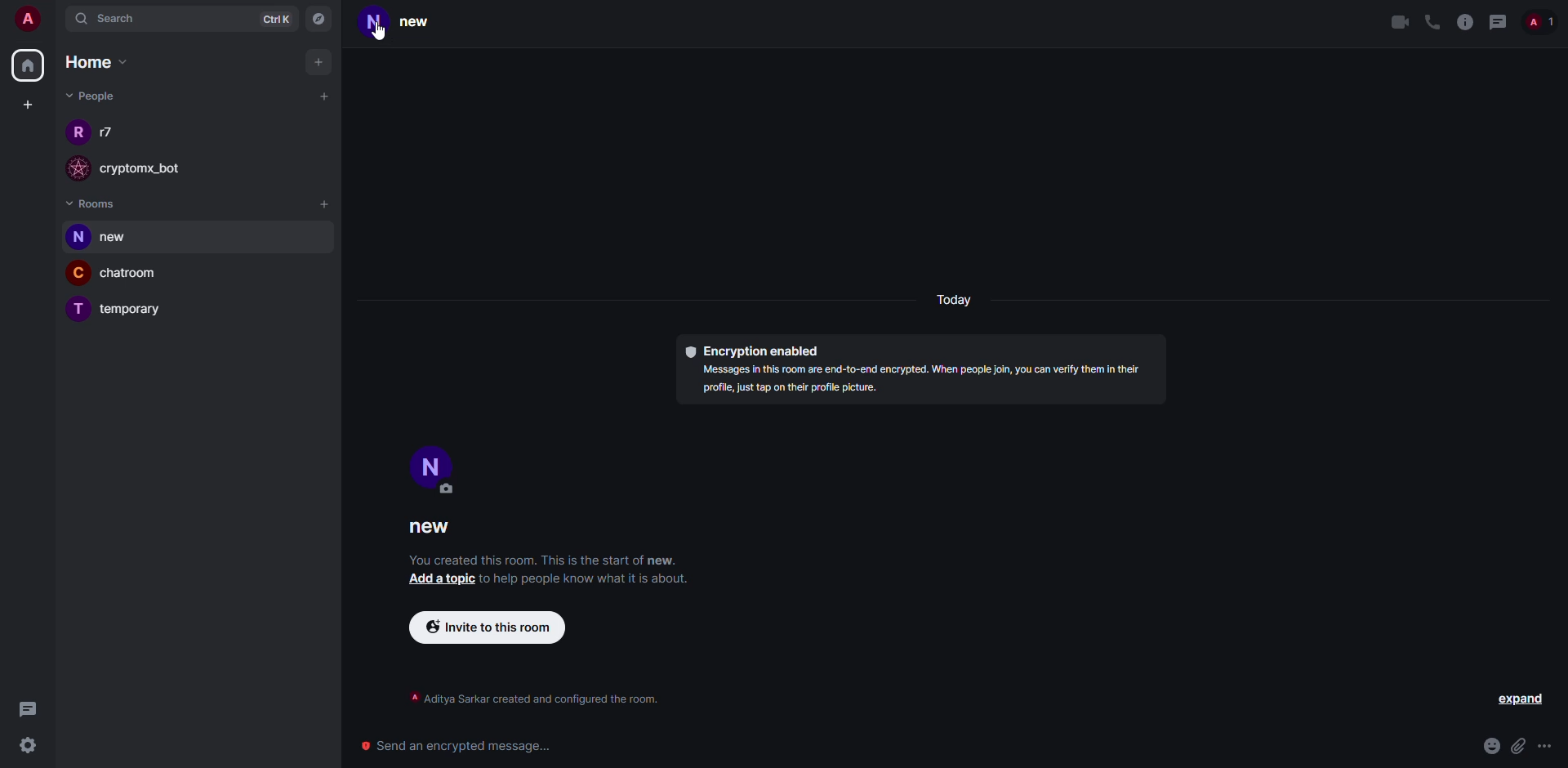 The width and height of the screenshot is (1568, 768). What do you see at coordinates (1430, 22) in the screenshot?
I see `voice call` at bounding box center [1430, 22].